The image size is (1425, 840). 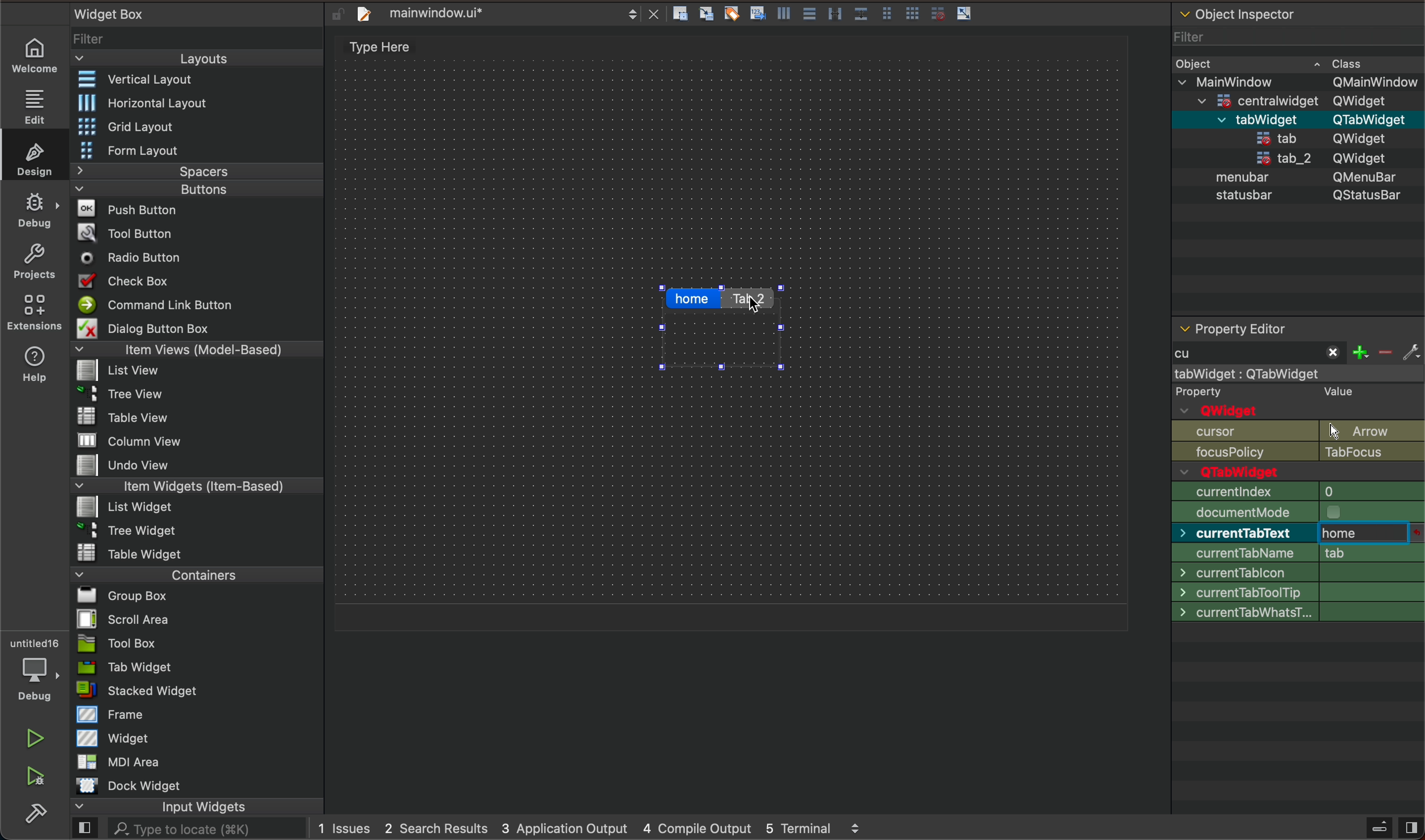 I want to click on , so click(x=1299, y=552).